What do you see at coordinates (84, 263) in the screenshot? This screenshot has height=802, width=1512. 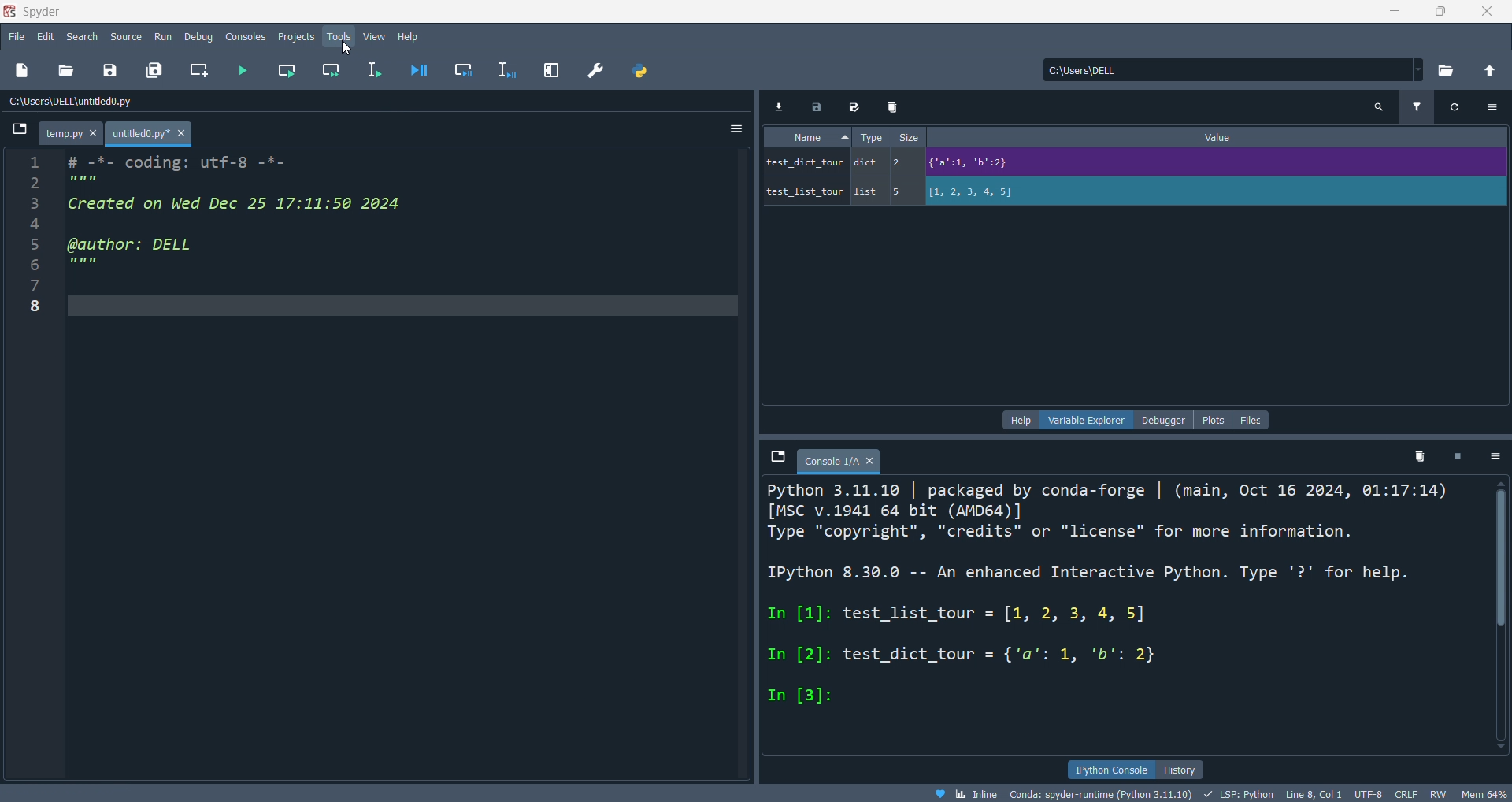 I see `6 """"` at bounding box center [84, 263].